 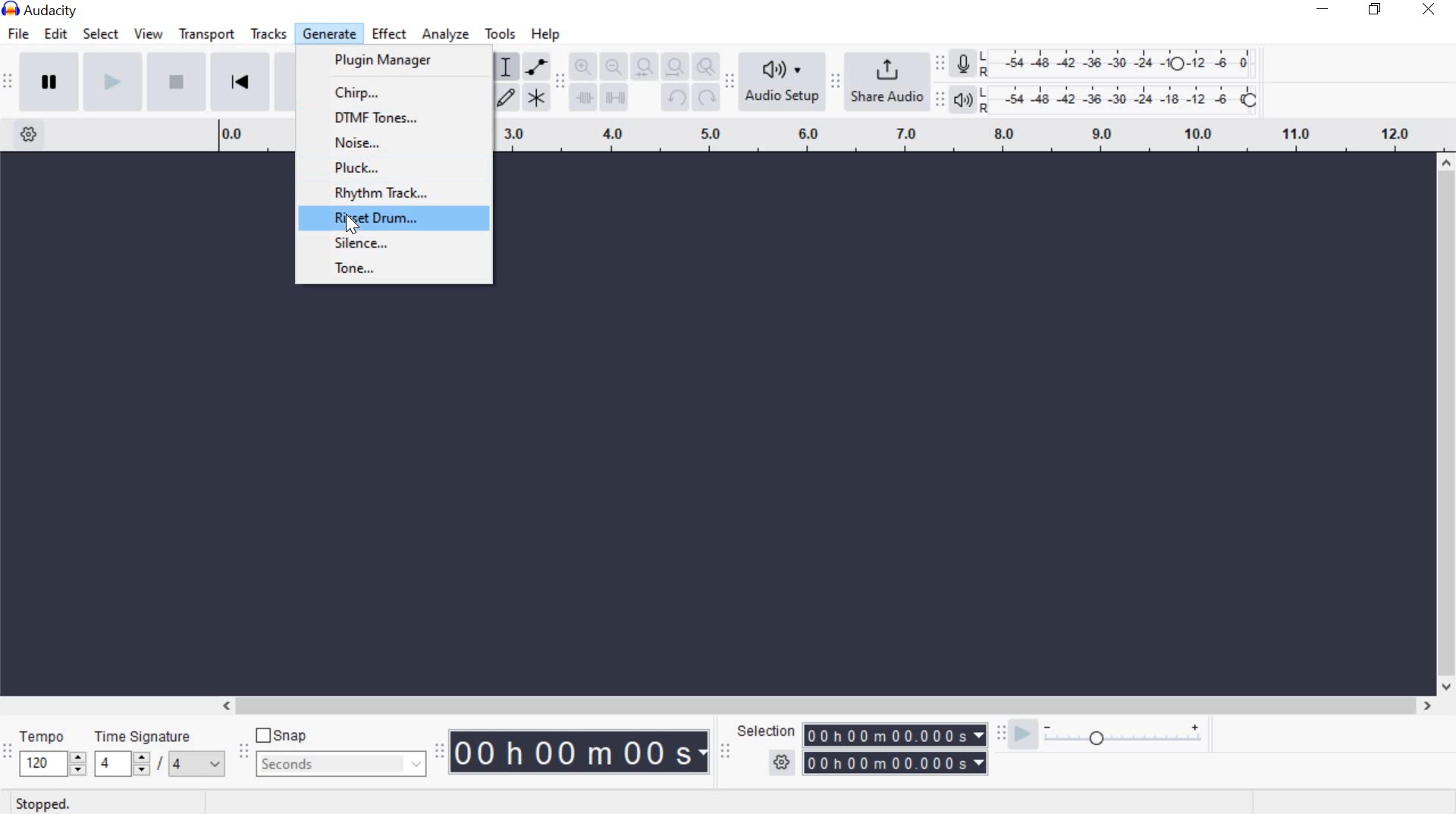 I want to click on Selection tool, so click(x=506, y=68).